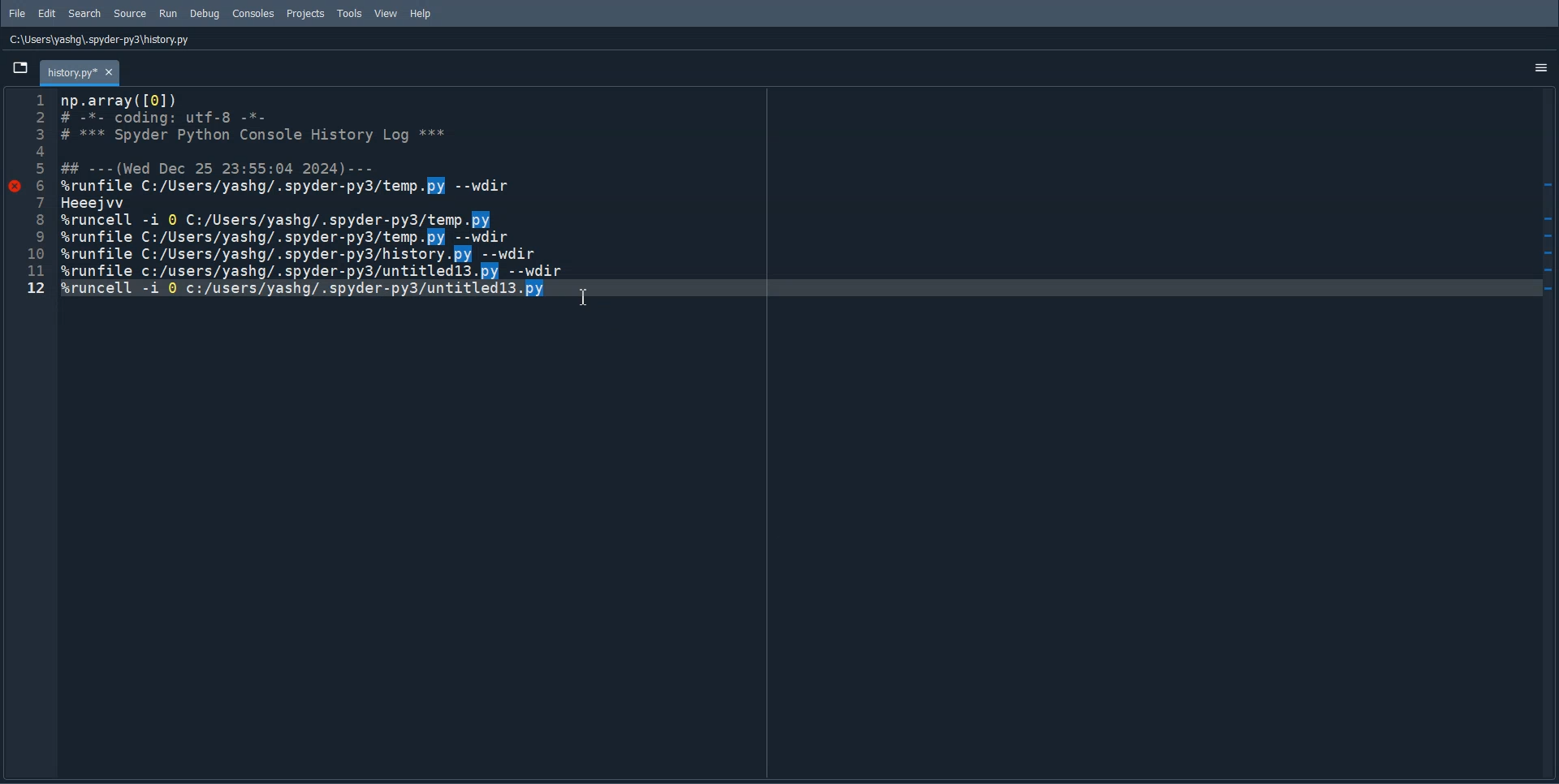 This screenshot has width=1559, height=784. Describe the element at coordinates (84, 13) in the screenshot. I see `Search` at that location.